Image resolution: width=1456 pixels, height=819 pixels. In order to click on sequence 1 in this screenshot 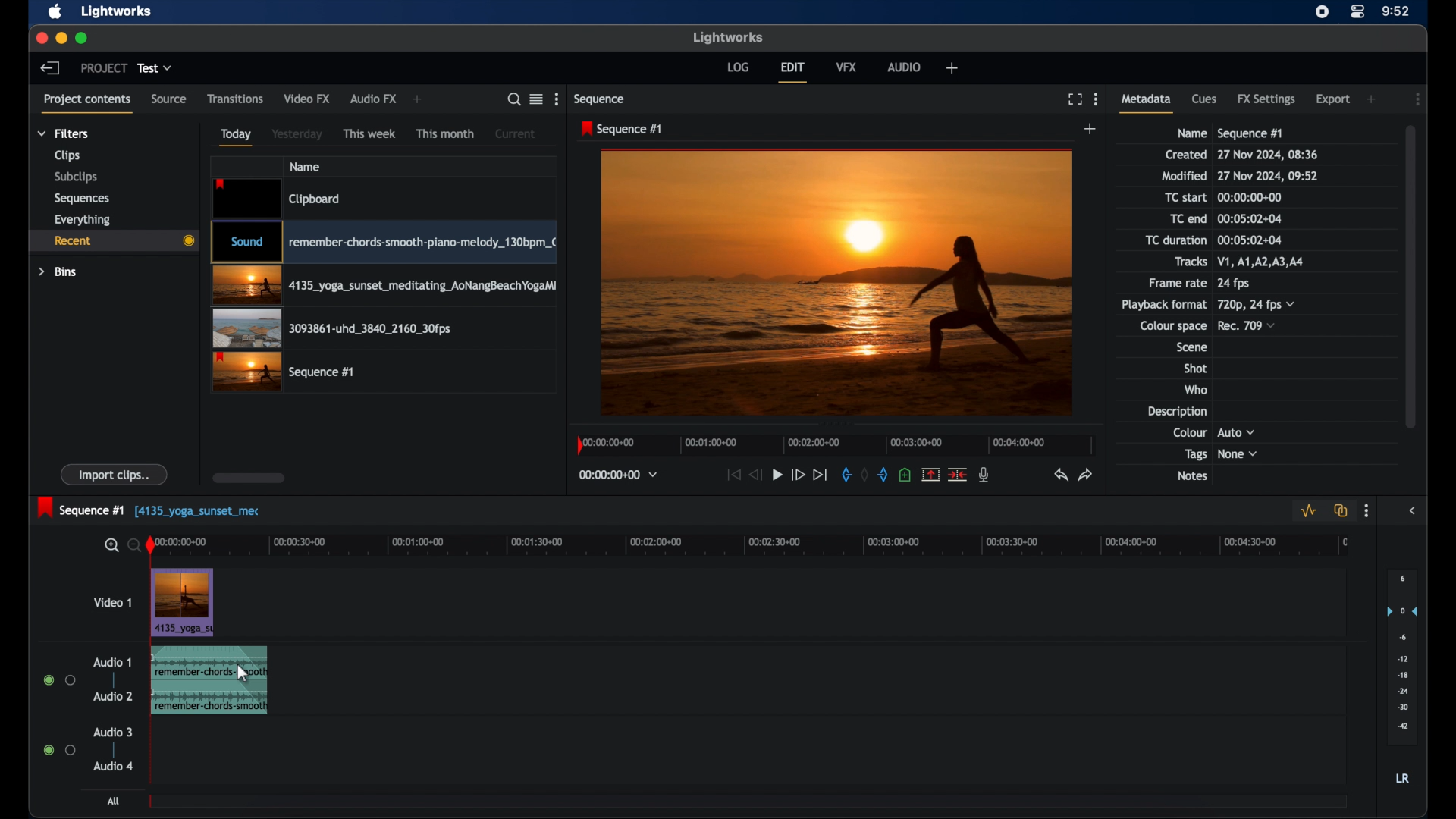, I will do `click(1250, 133)`.